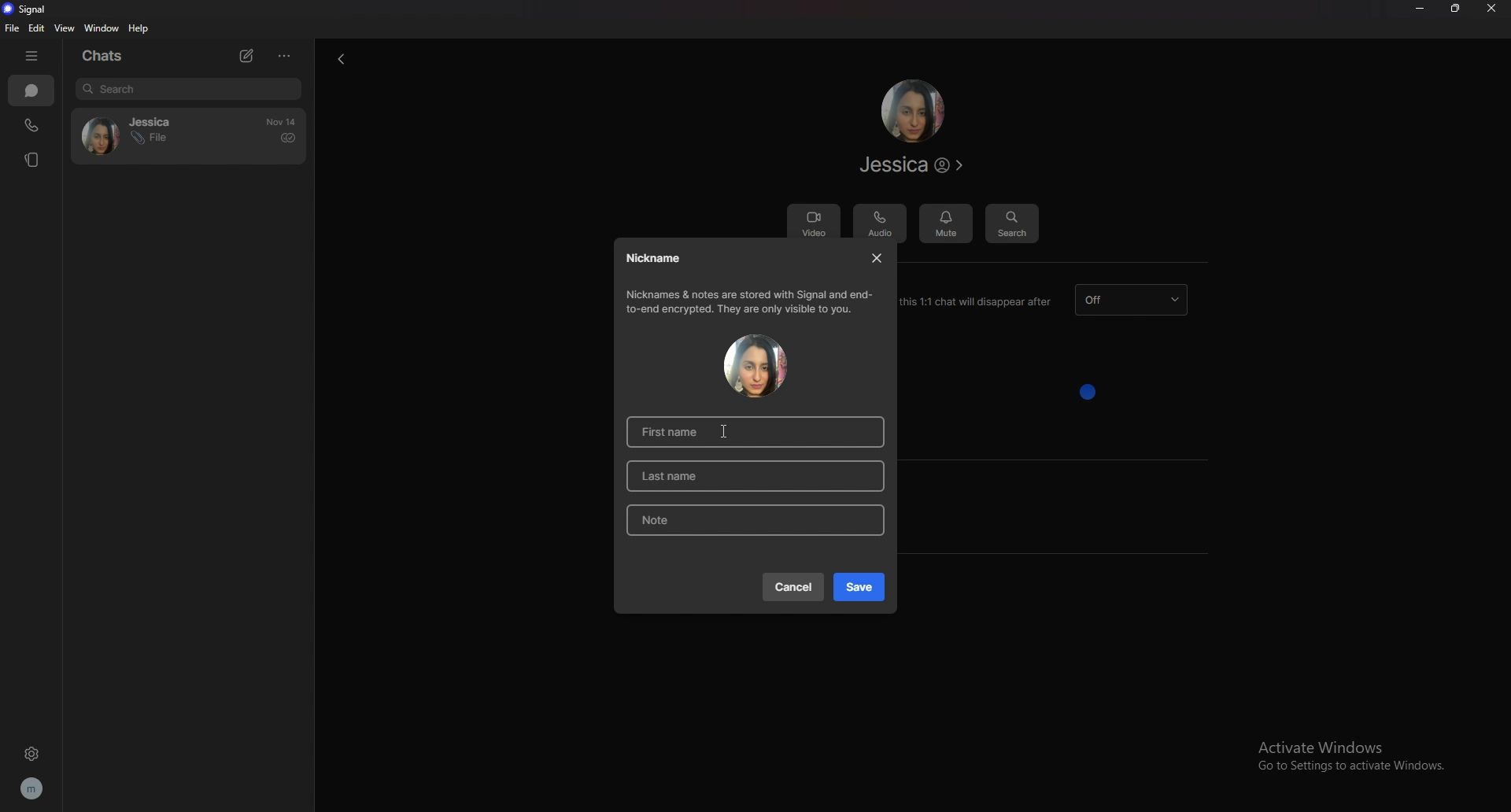 The height and width of the screenshot is (812, 1511). Describe the element at coordinates (656, 258) in the screenshot. I see `nickname` at that location.